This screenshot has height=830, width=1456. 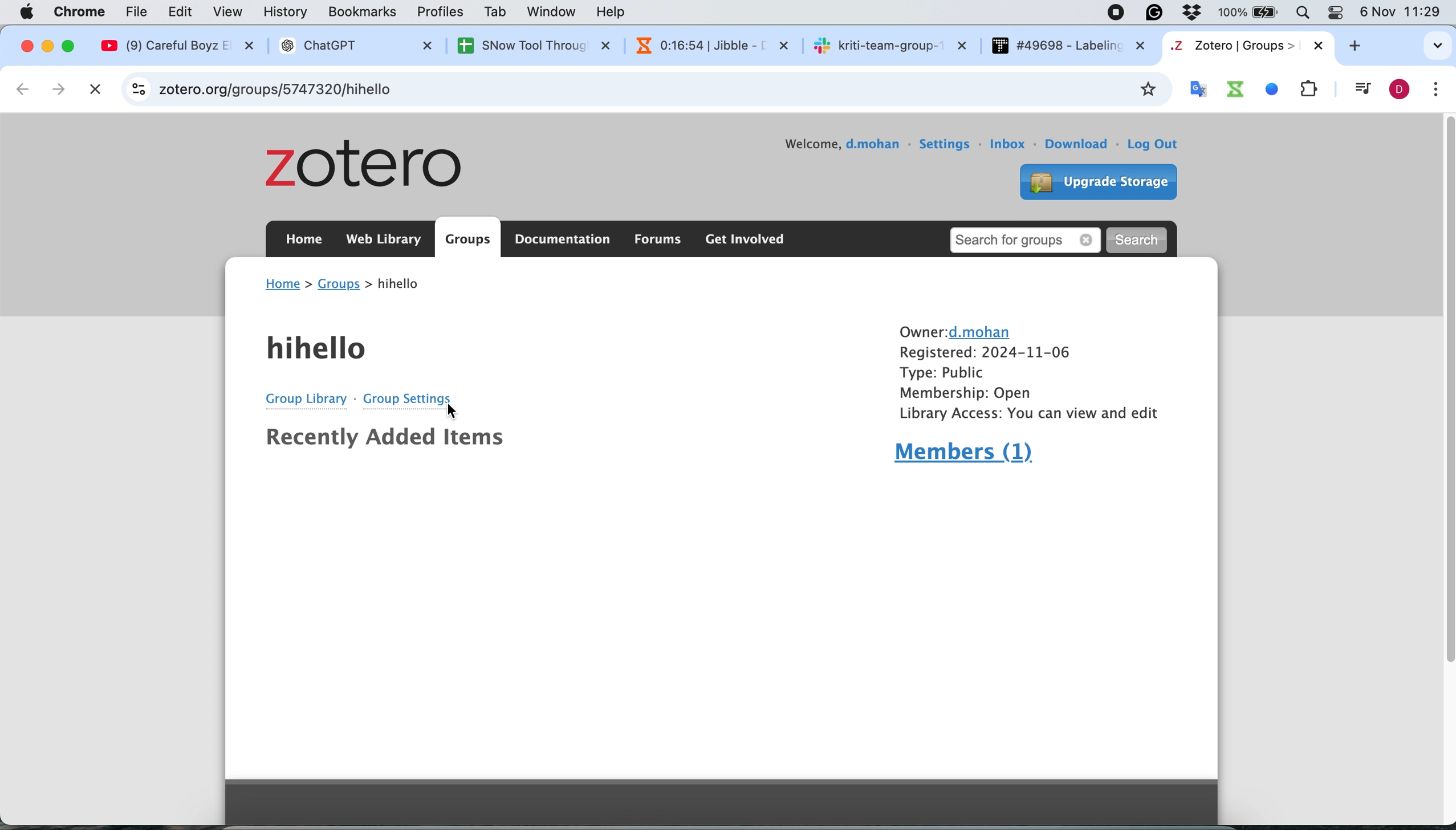 I want to click on vertical scroll bar, so click(x=1446, y=366).